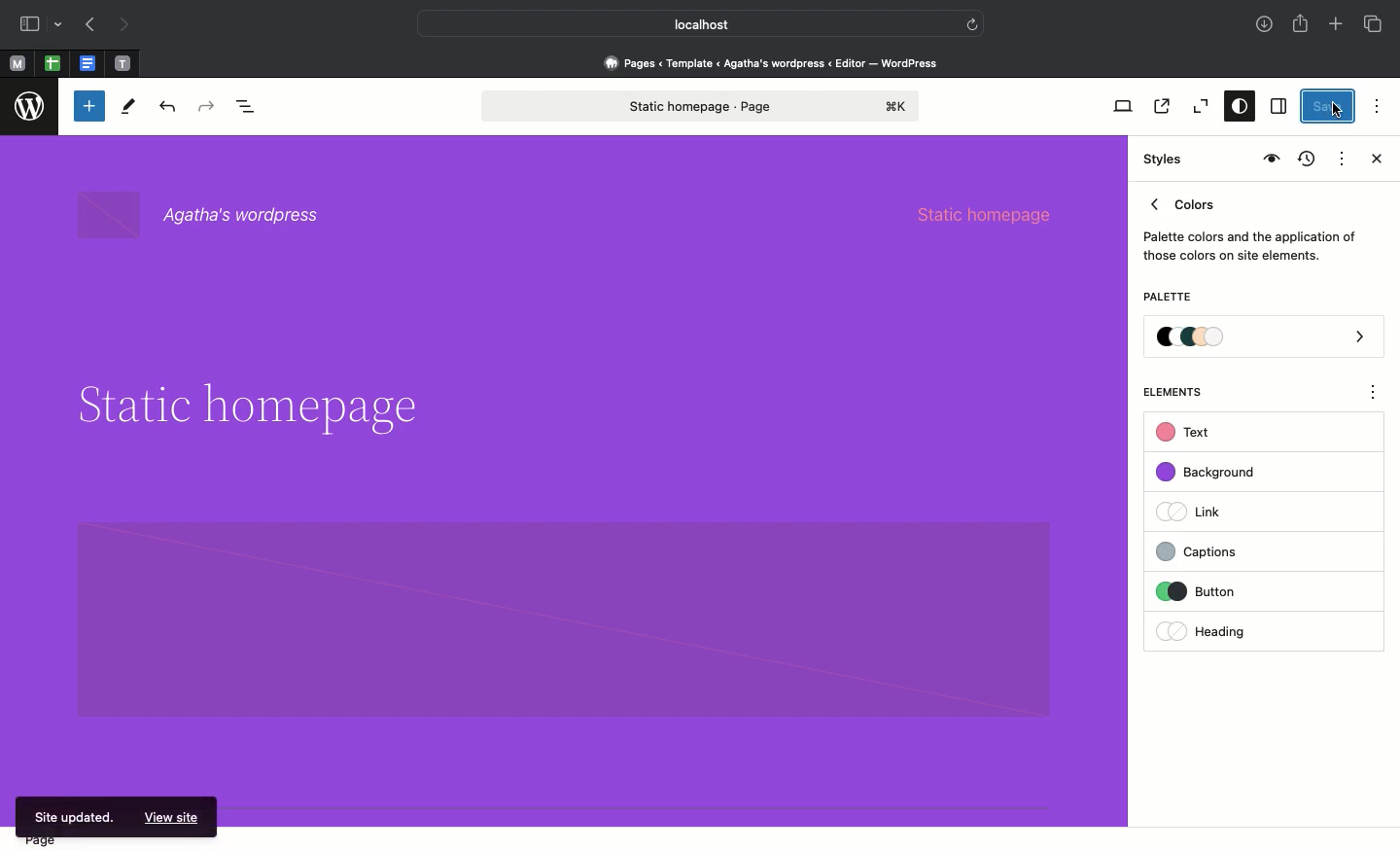  What do you see at coordinates (1197, 511) in the screenshot?
I see `Link` at bounding box center [1197, 511].